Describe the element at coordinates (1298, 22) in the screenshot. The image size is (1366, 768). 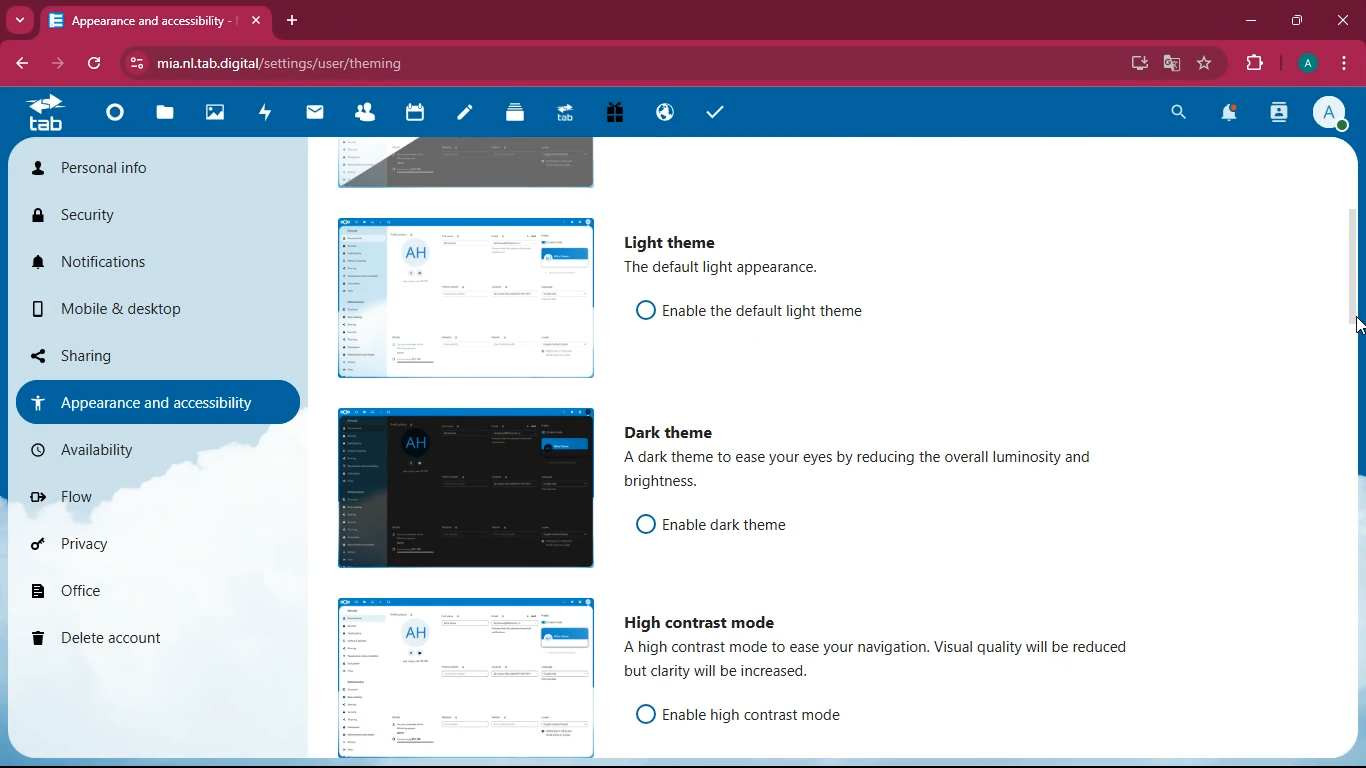
I see `maximize` at that location.